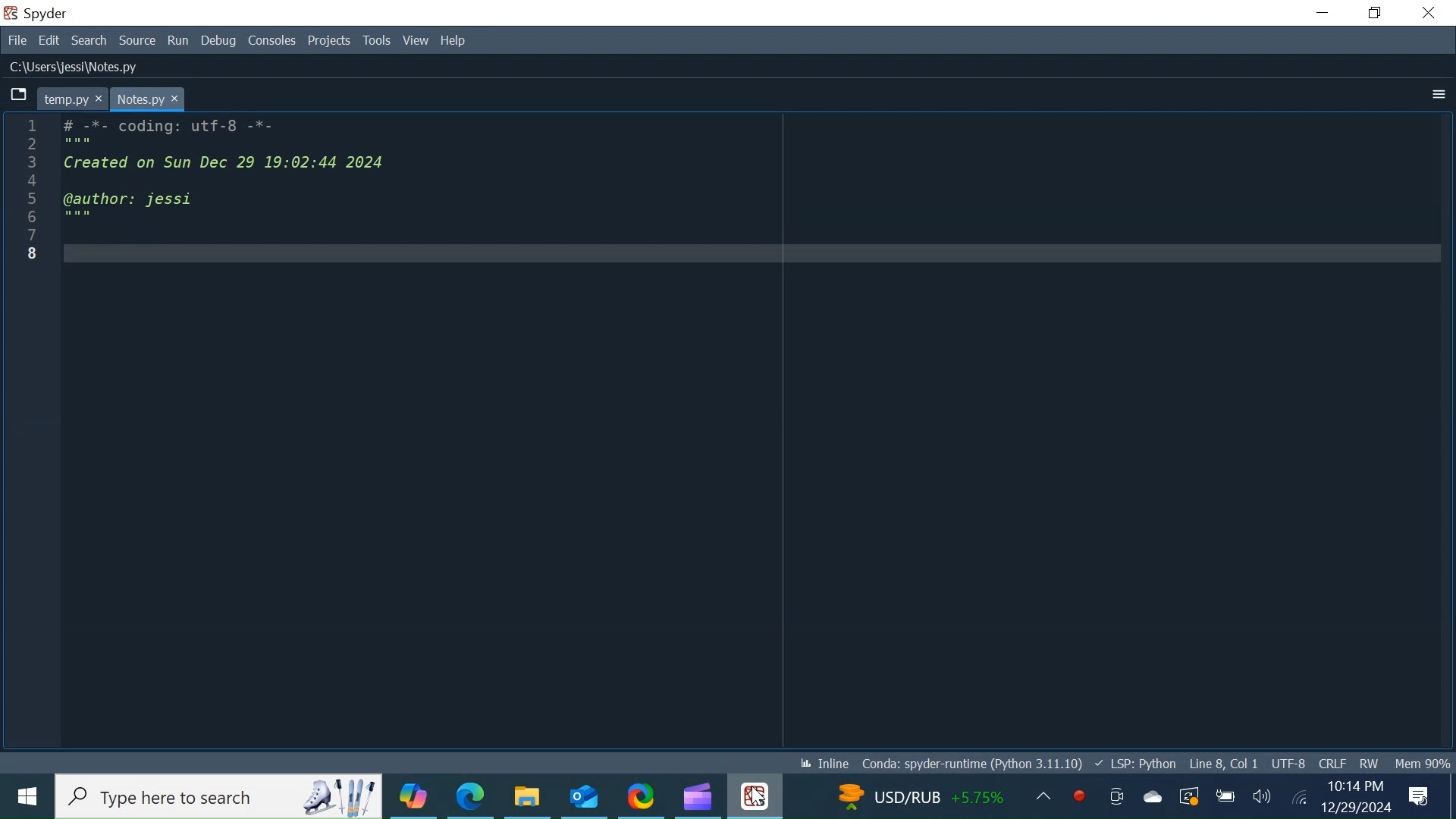  What do you see at coordinates (1354, 808) in the screenshot?
I see `Date` at bounding box center [1354, 808].